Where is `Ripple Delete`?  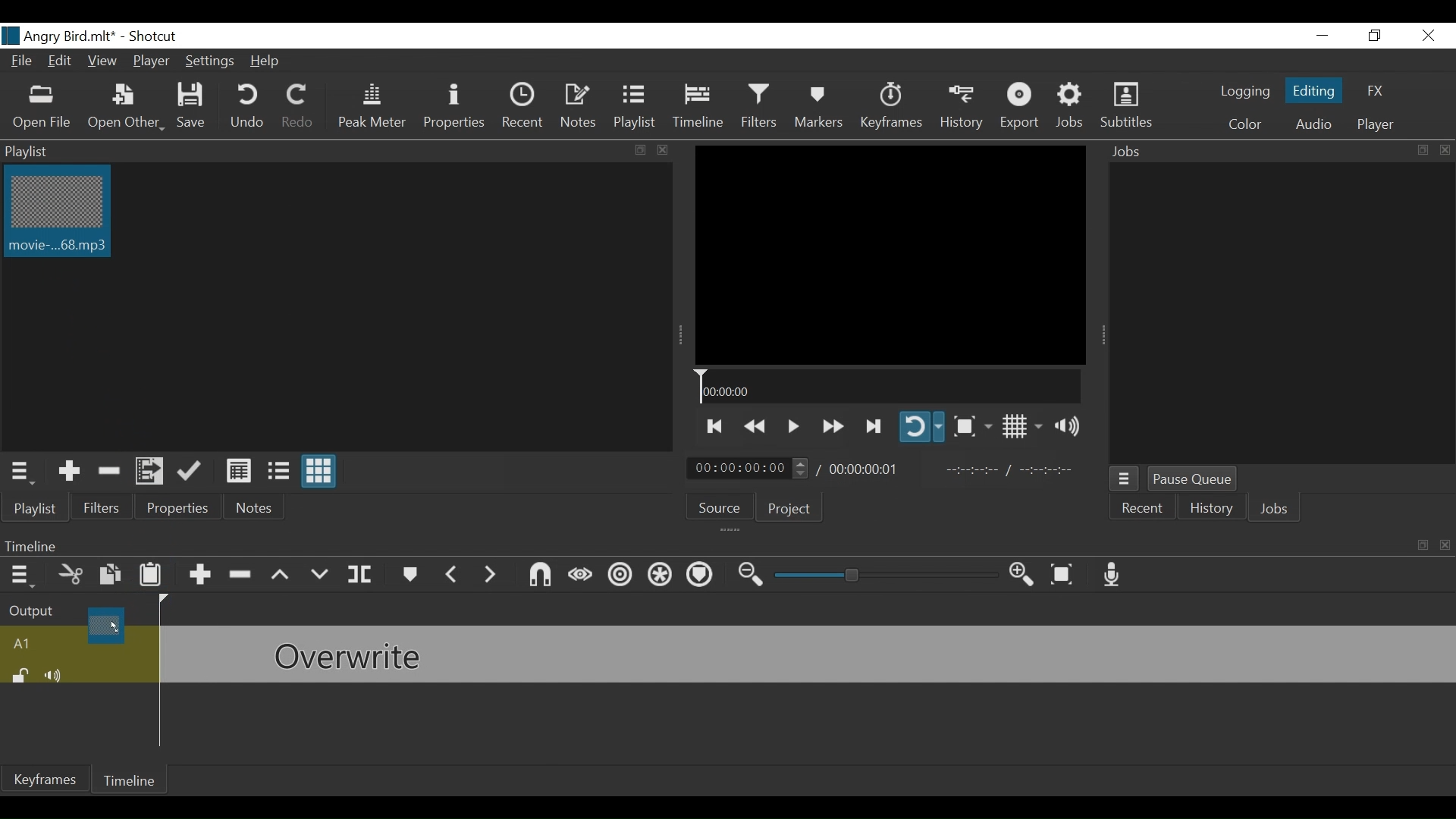 Ripple Delete is located at coordinates (242, 574).